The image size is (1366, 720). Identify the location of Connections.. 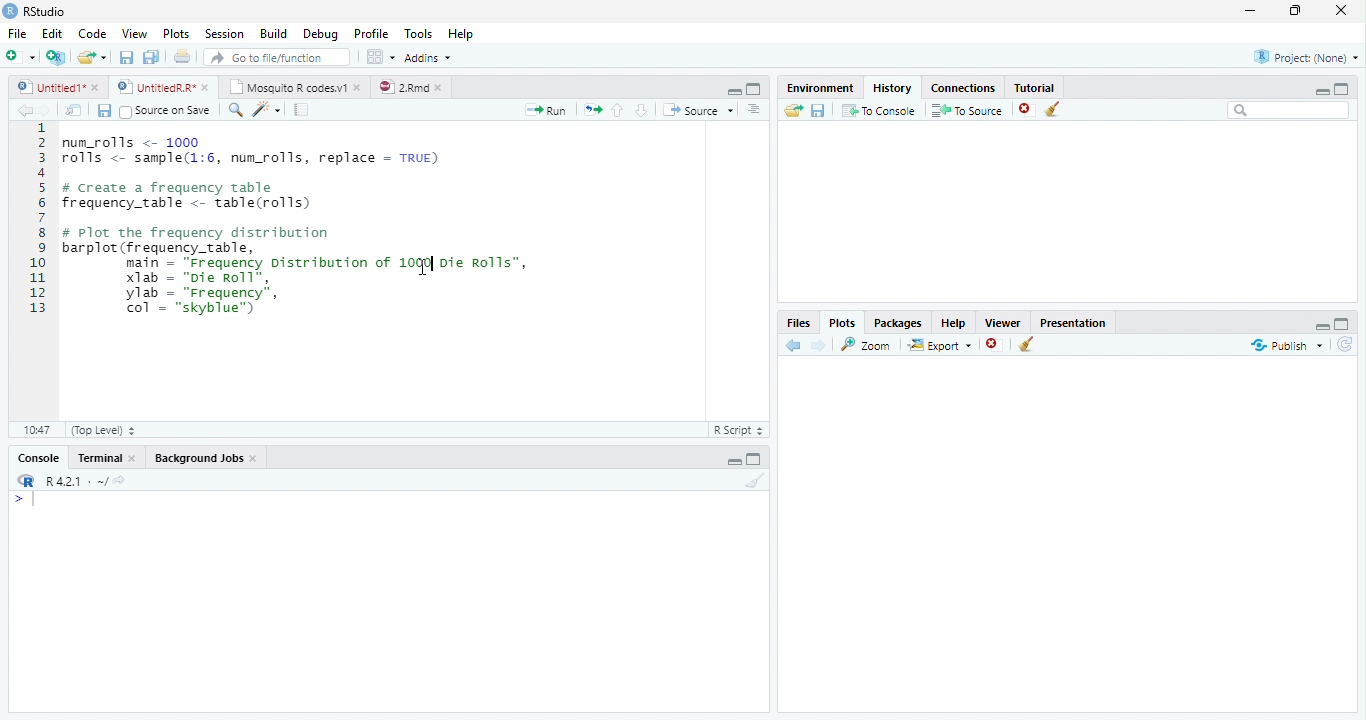
(963, 87).